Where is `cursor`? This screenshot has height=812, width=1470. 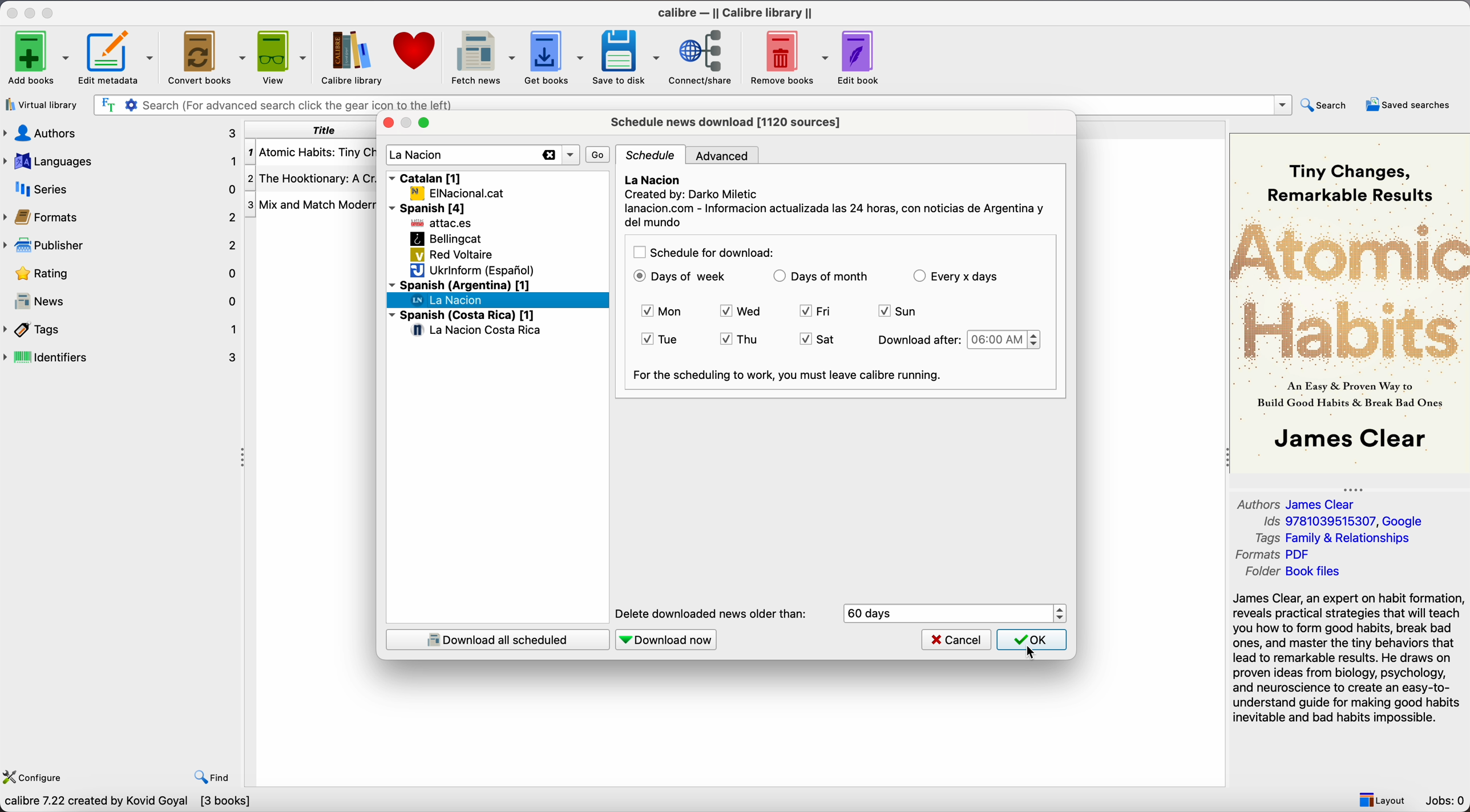
cursor is located at coordinates (1031, 653).